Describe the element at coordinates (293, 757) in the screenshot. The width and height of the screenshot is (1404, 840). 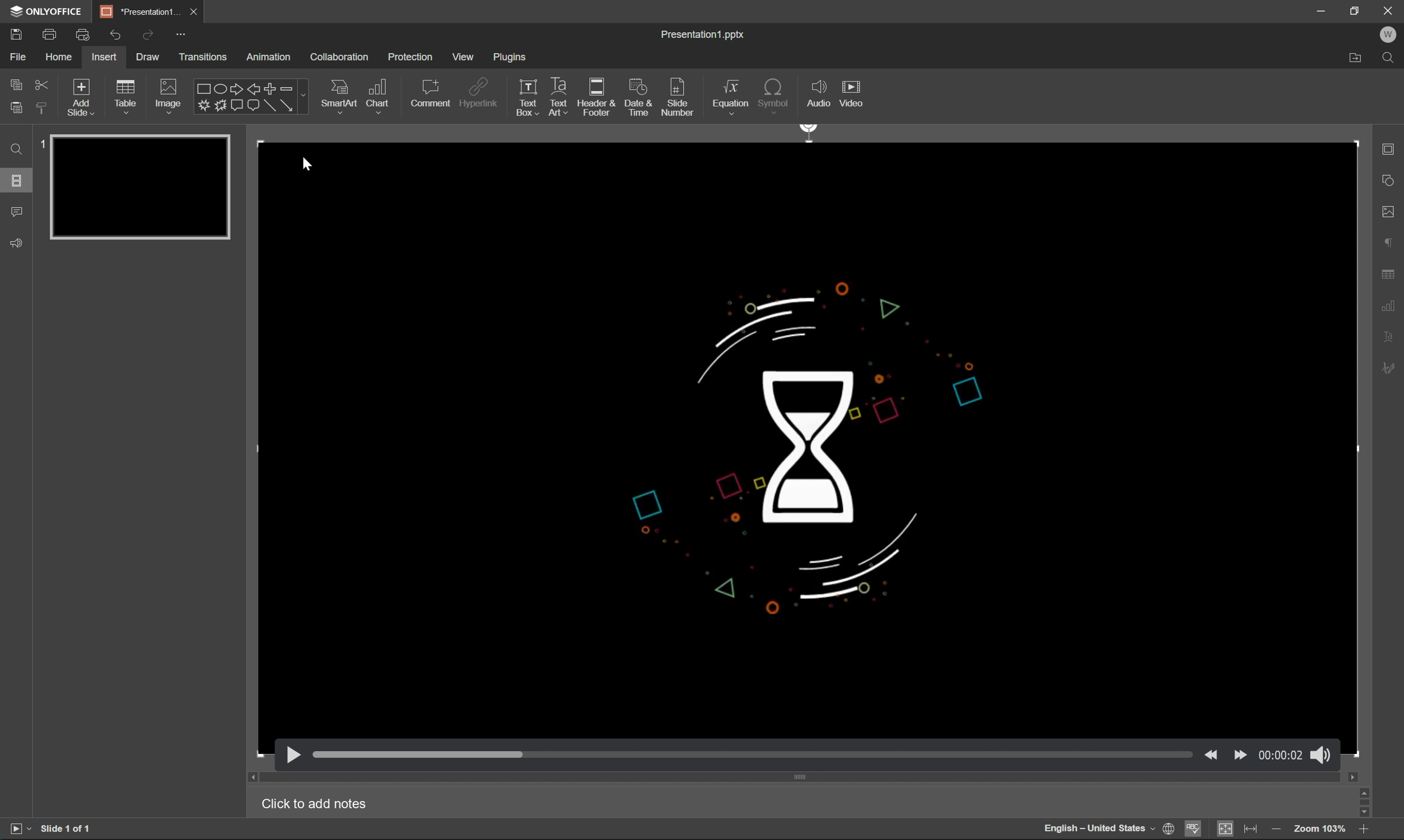
I see `play` at that location.